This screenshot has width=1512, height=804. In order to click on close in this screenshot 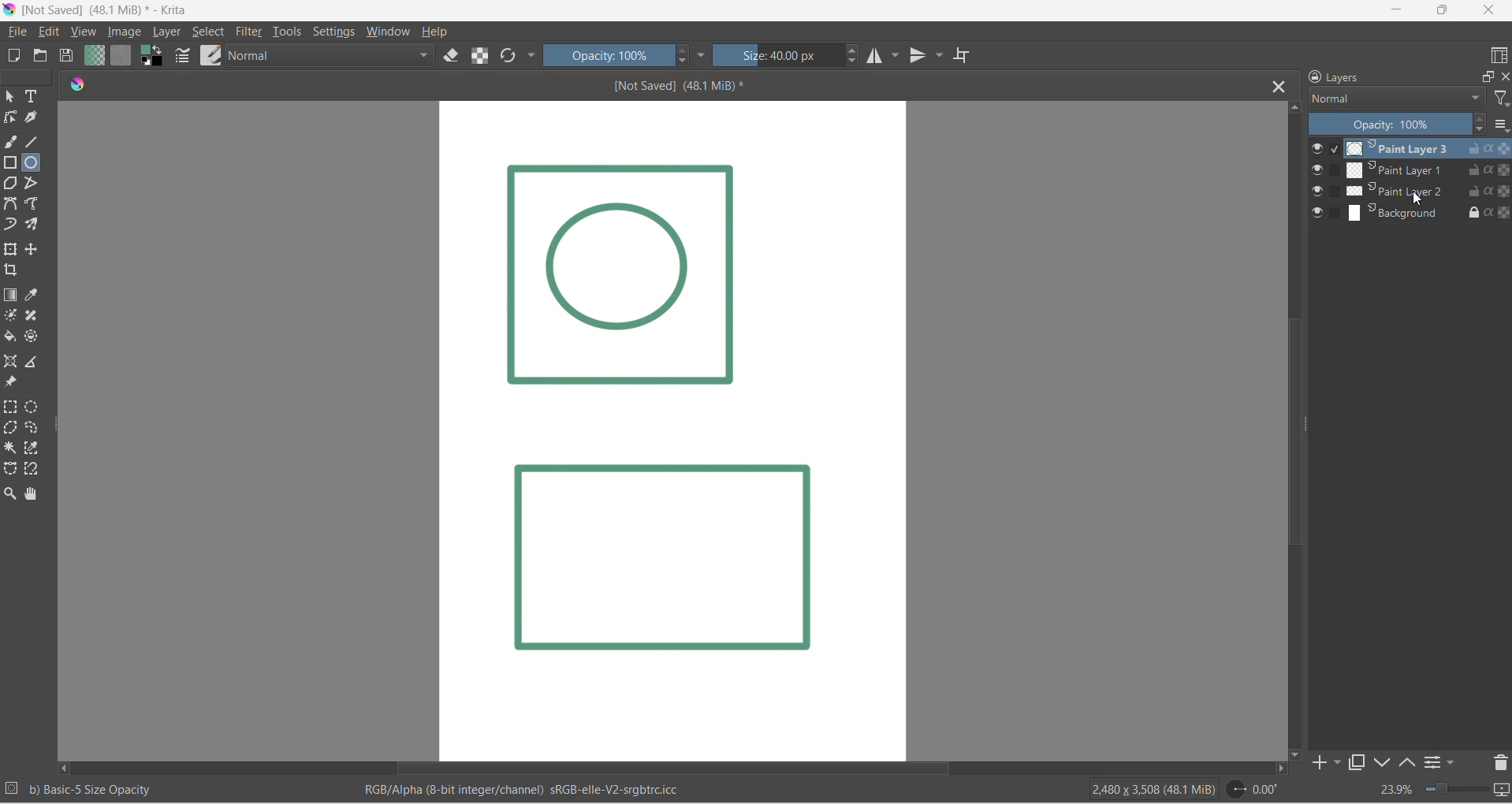, I will do `click(1490, 11)`.